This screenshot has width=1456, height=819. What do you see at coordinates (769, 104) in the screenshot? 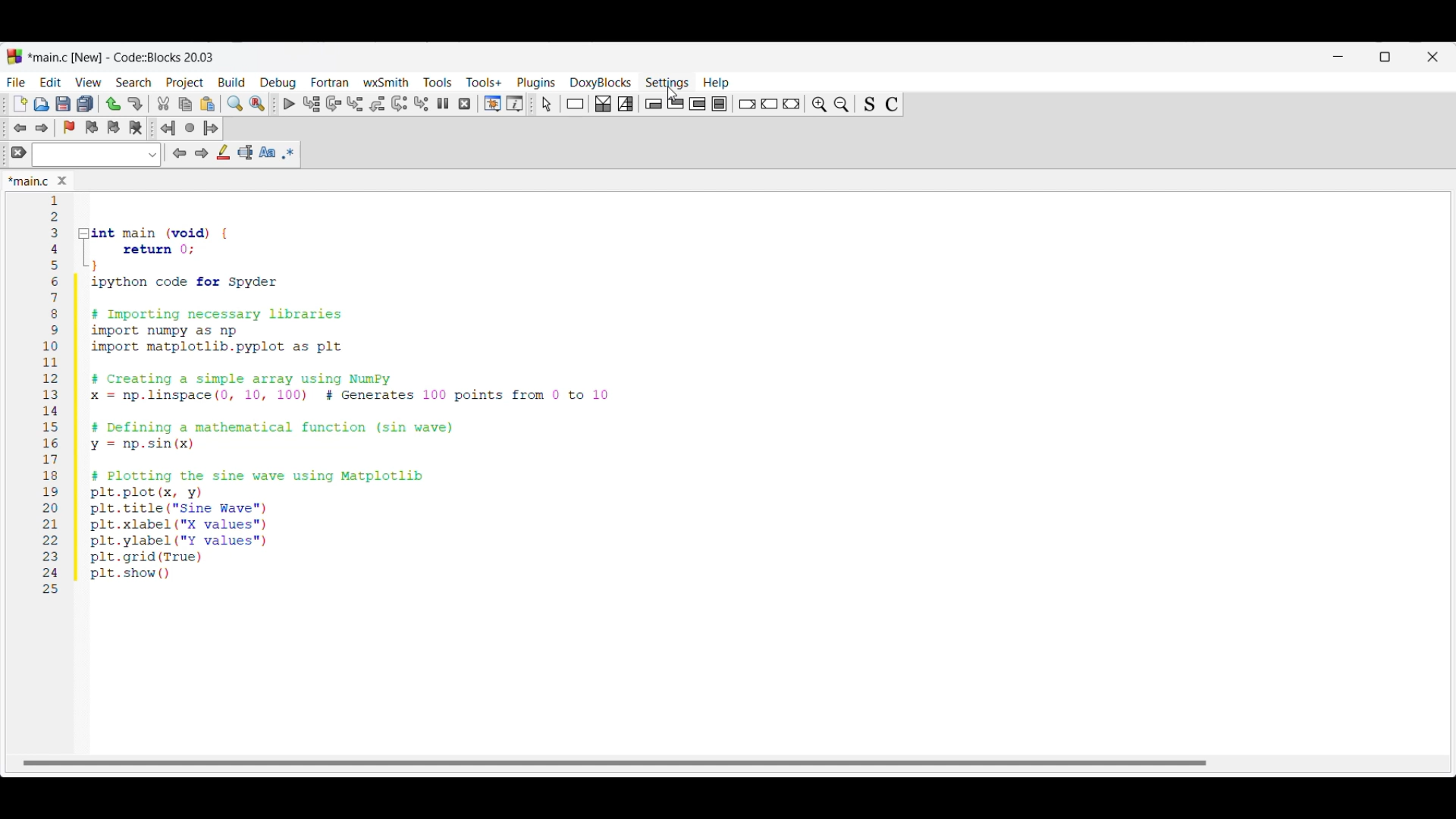
I see `Continue instruction` at bounding box center [769, 104].